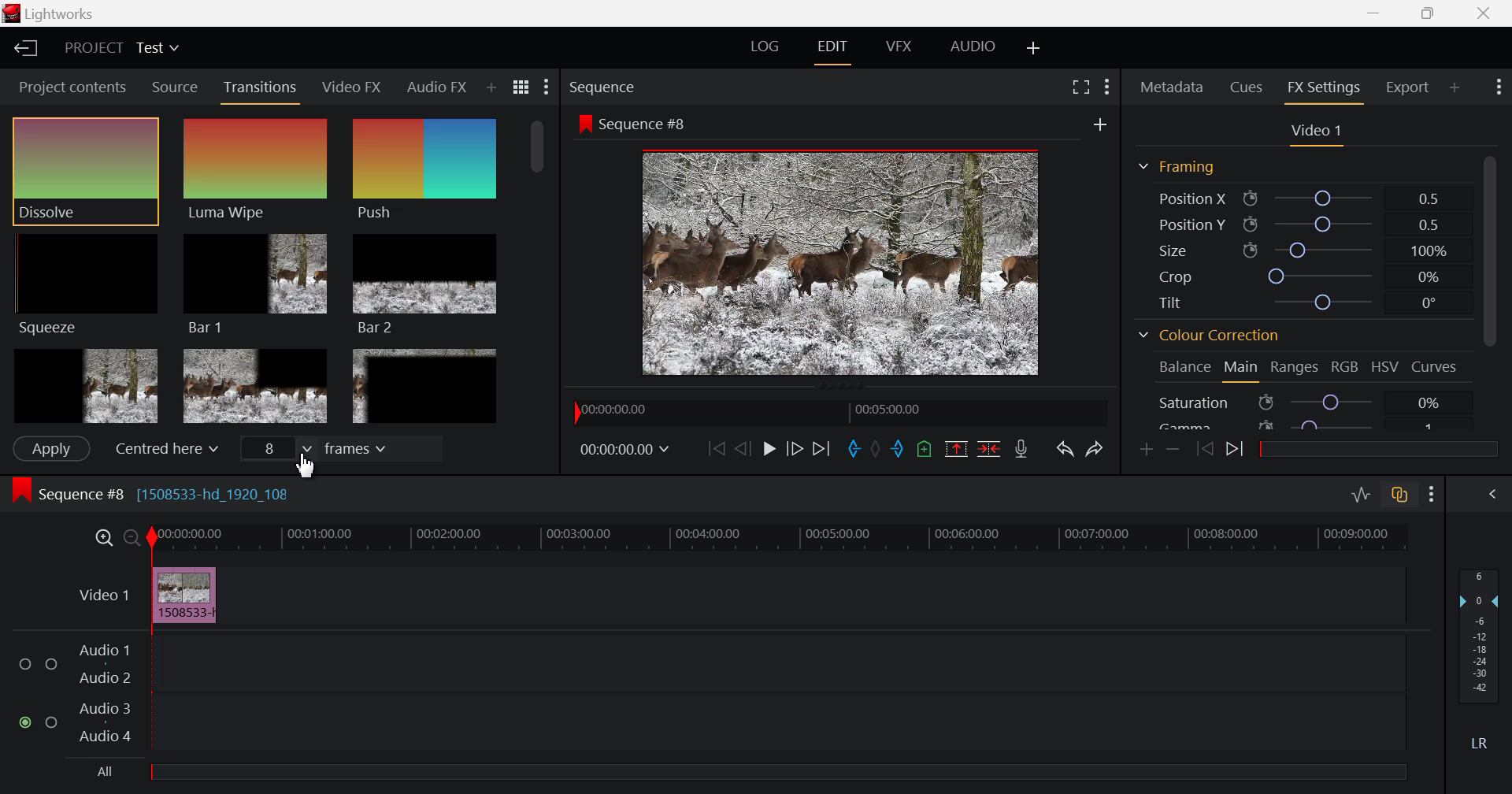 This screenshot has width=1512, height=794. Describe the element at coordinates (836, 414) in the screenshot. I see `Project Timeline Navigator` at that location.